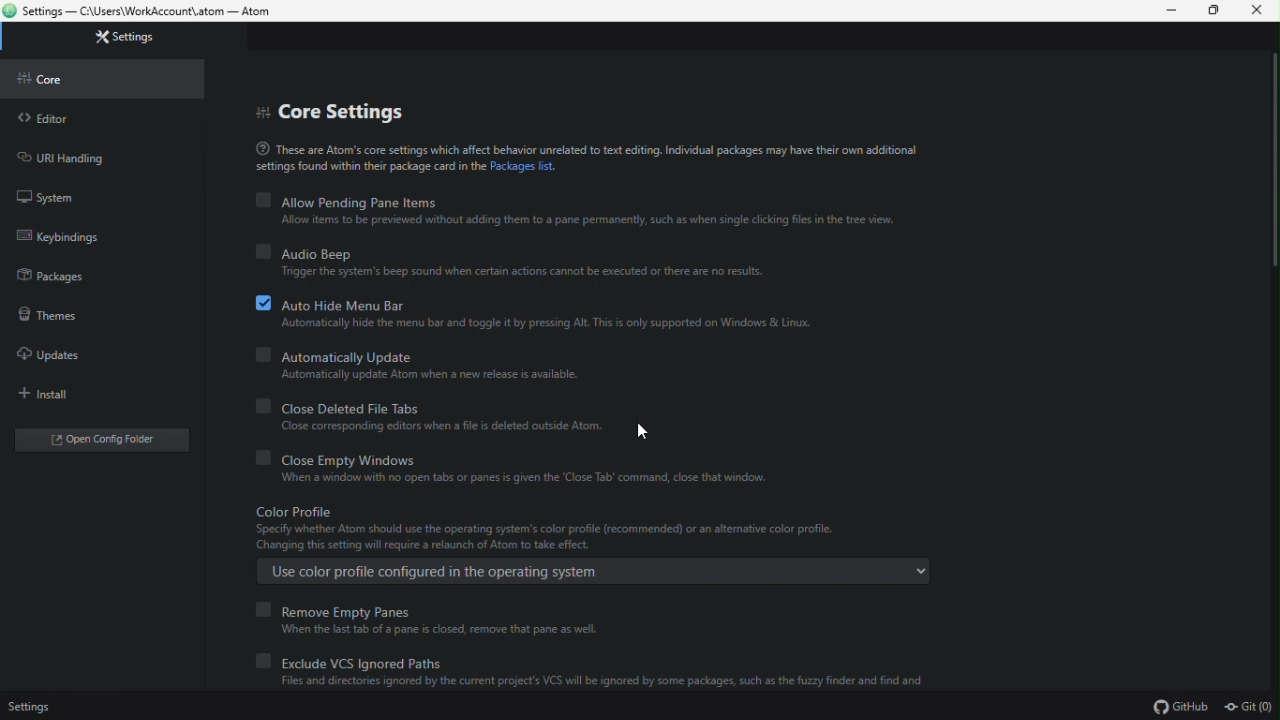 This screenshot has width=1280, height=720. I want to click on Packages list, so click(528, 167).